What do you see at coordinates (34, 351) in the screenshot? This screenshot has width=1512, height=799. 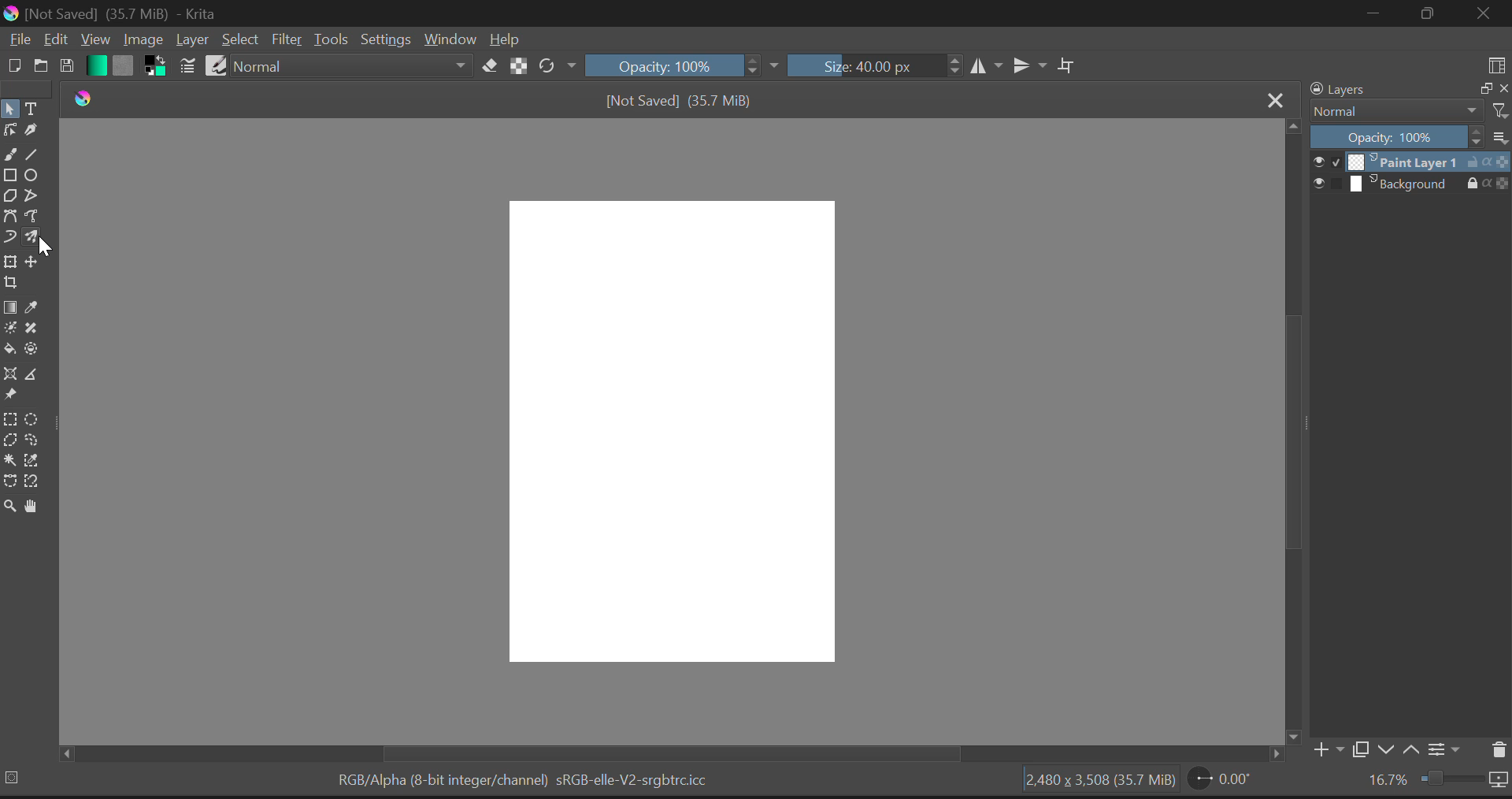 I see `Enclose and Fill` at bounding box center [34, 351].